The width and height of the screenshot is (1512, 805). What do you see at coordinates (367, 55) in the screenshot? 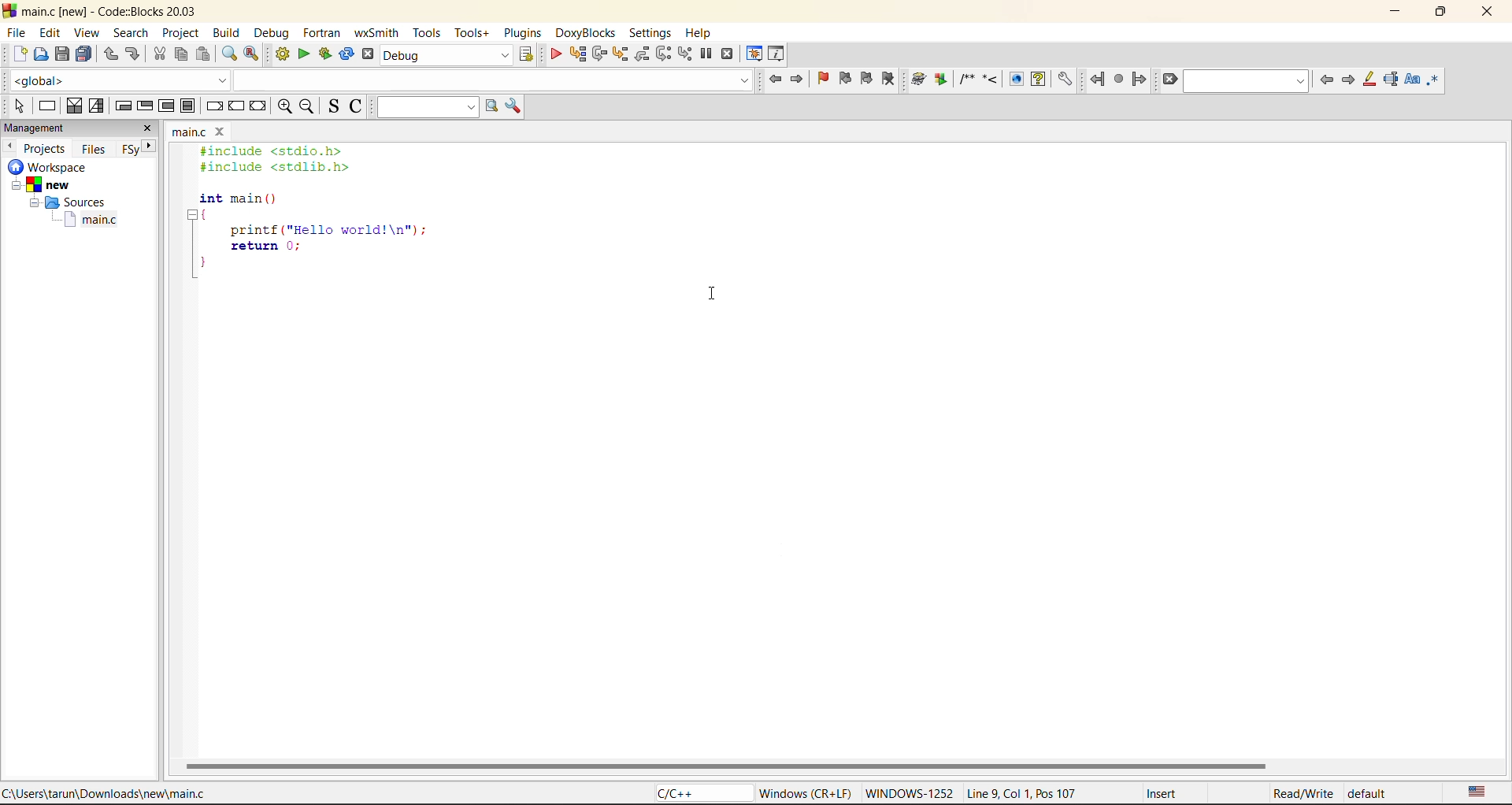
I see `abort` at bounding box center [367, 55].